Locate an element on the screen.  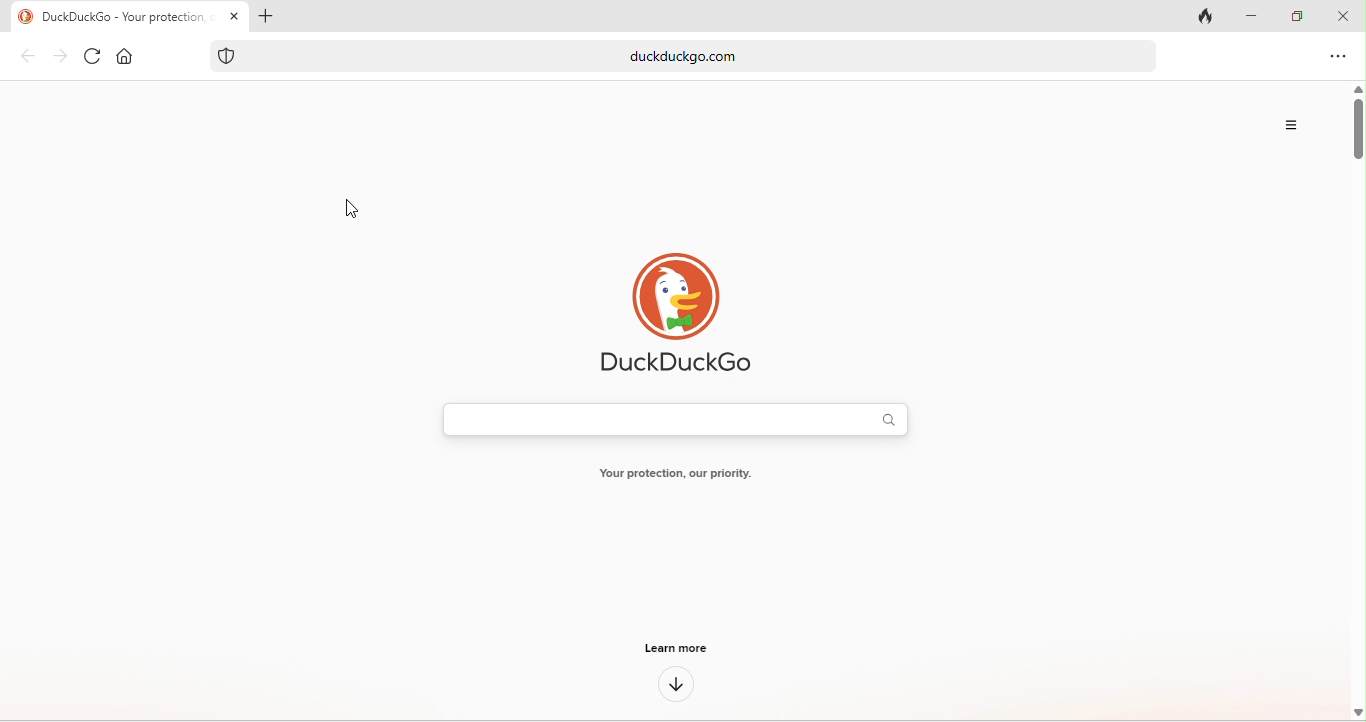
web link is located at coordinates (718, 56).